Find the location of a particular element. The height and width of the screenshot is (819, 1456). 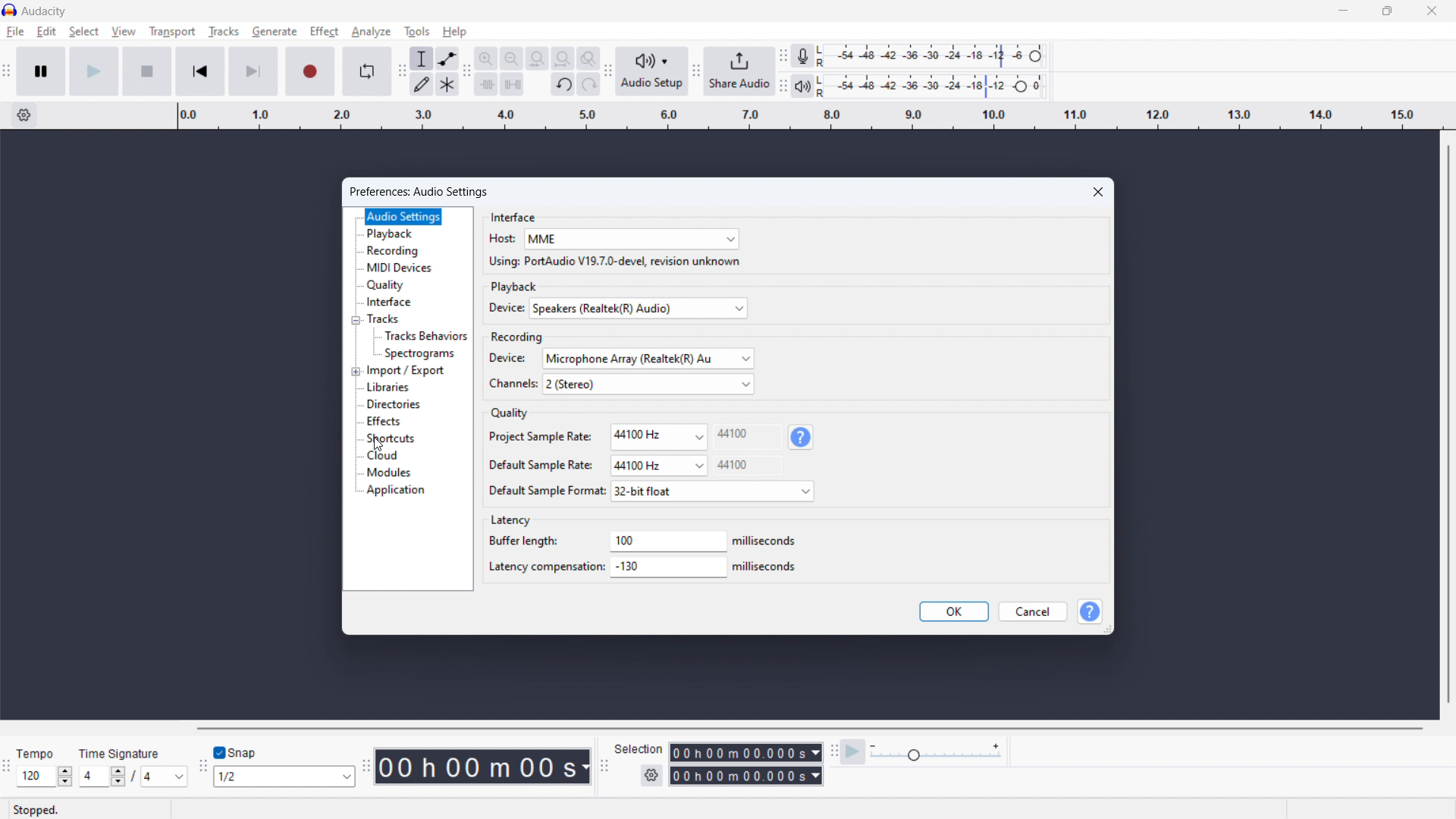

Enabales movement of share audio toolbar is located at coordinates (697, 71).